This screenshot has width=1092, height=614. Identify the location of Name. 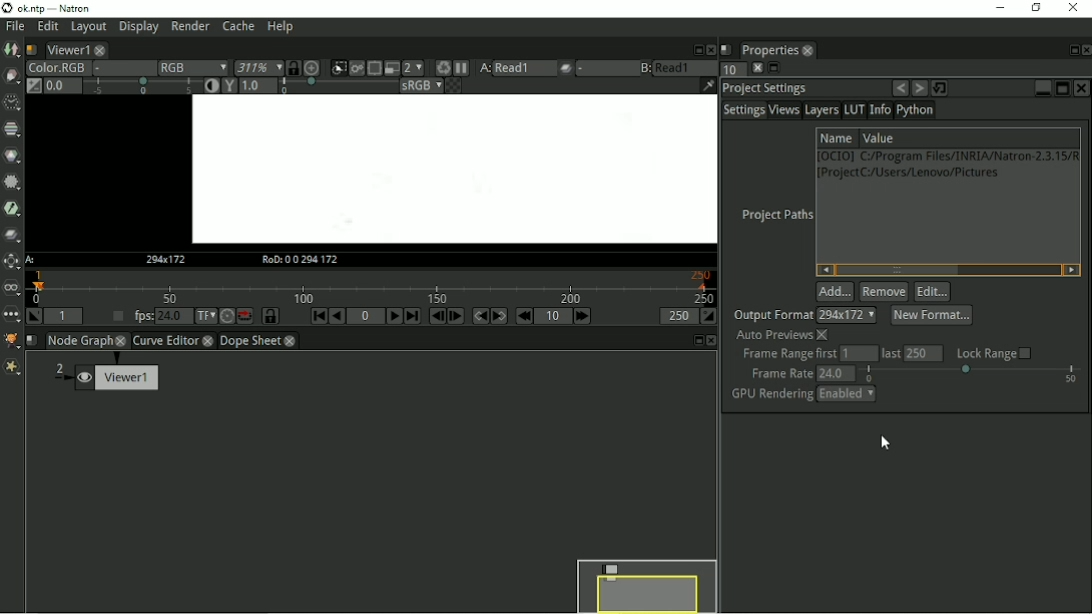
(835, 138).